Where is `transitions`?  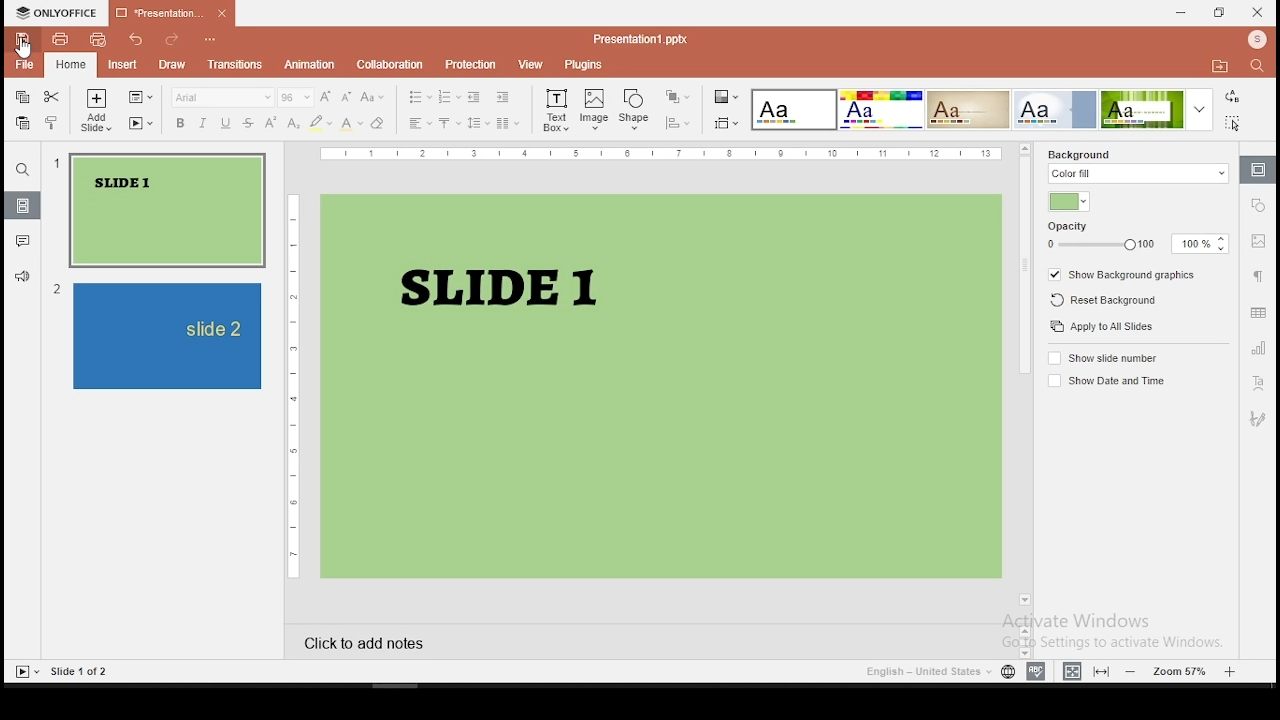 transitions is located at coordinates (236, 64).